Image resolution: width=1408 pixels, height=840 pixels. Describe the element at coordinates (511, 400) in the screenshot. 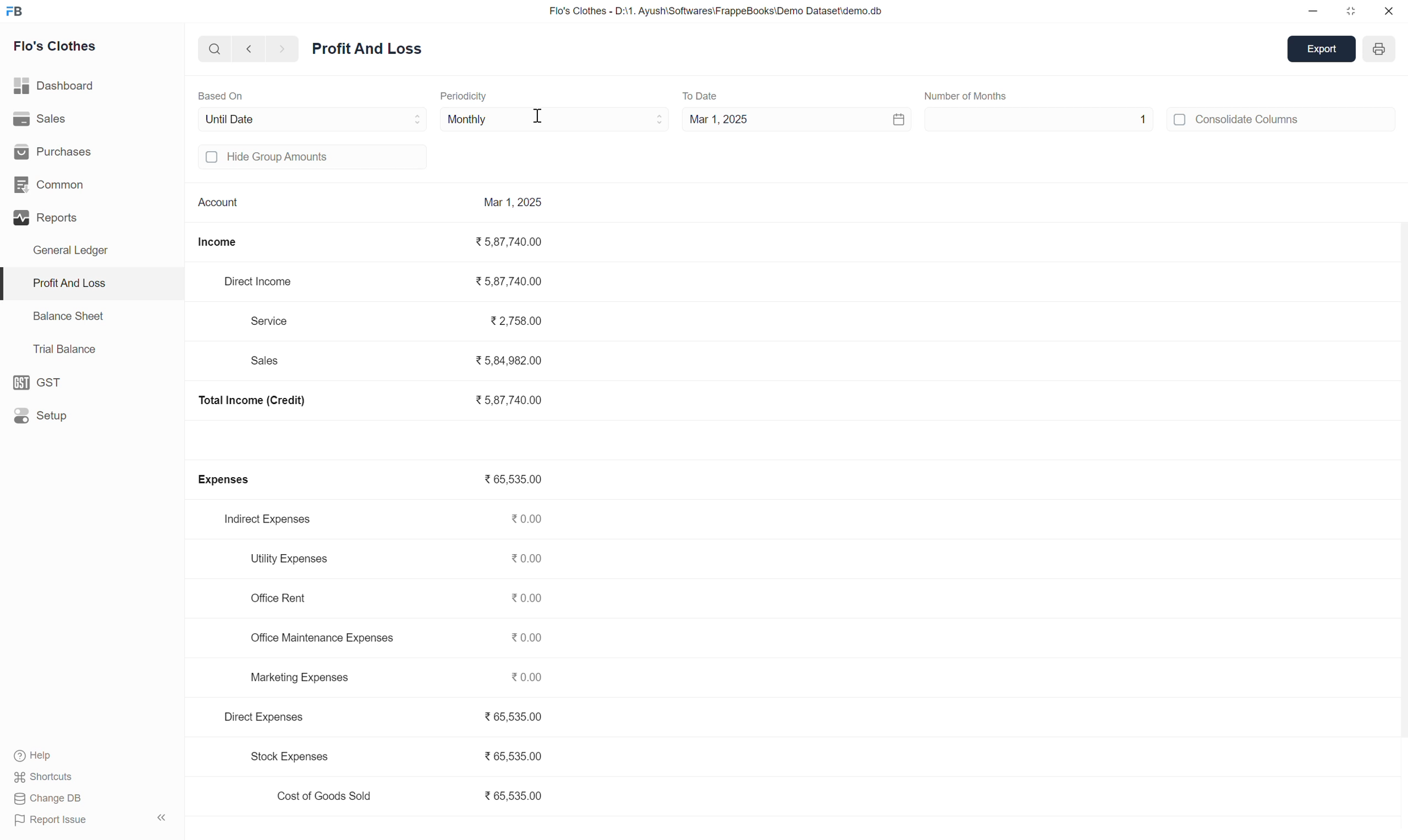

I see `₹5,87,740.00` at that location.